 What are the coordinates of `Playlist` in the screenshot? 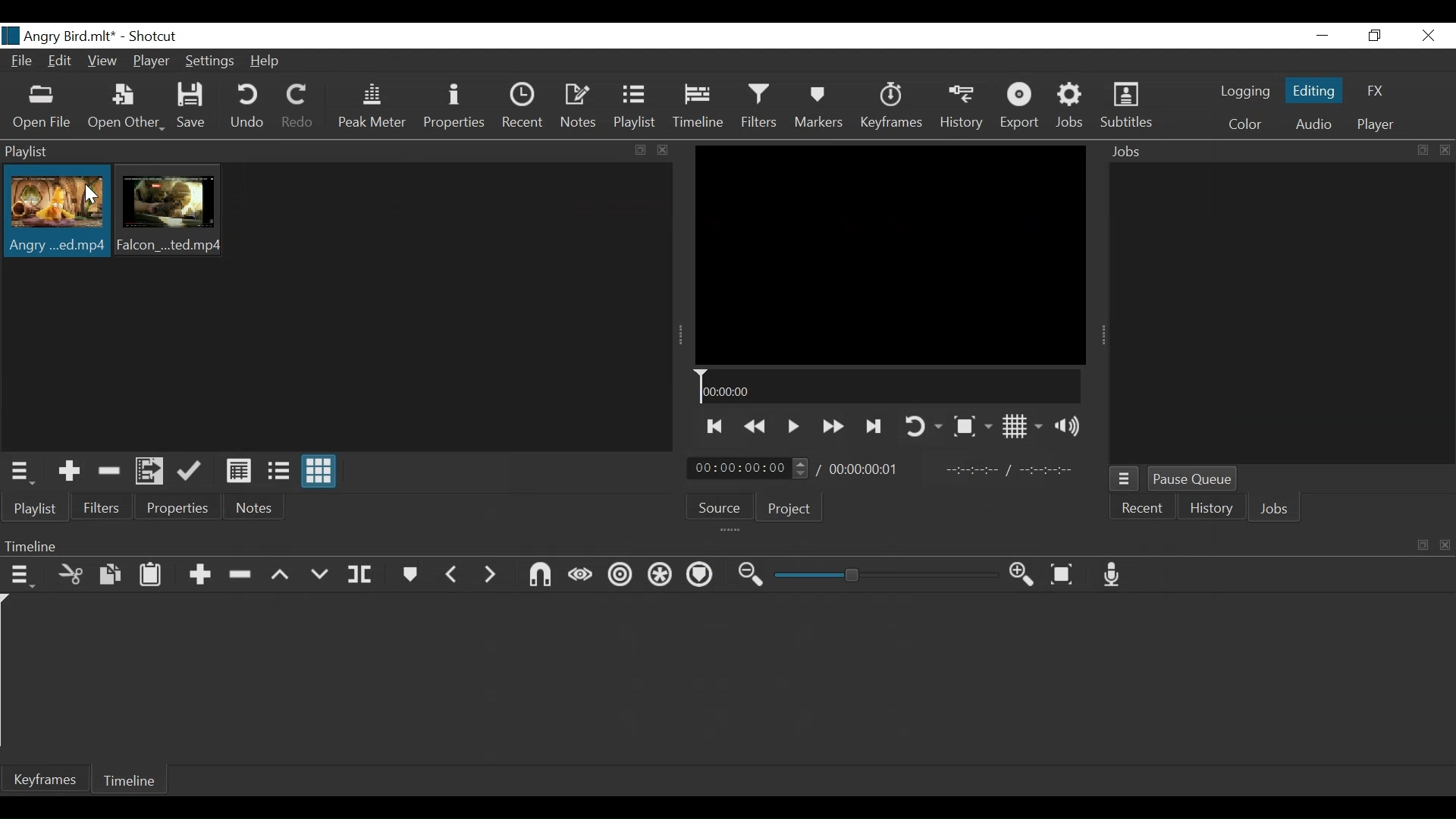 It's located at (35, 509).